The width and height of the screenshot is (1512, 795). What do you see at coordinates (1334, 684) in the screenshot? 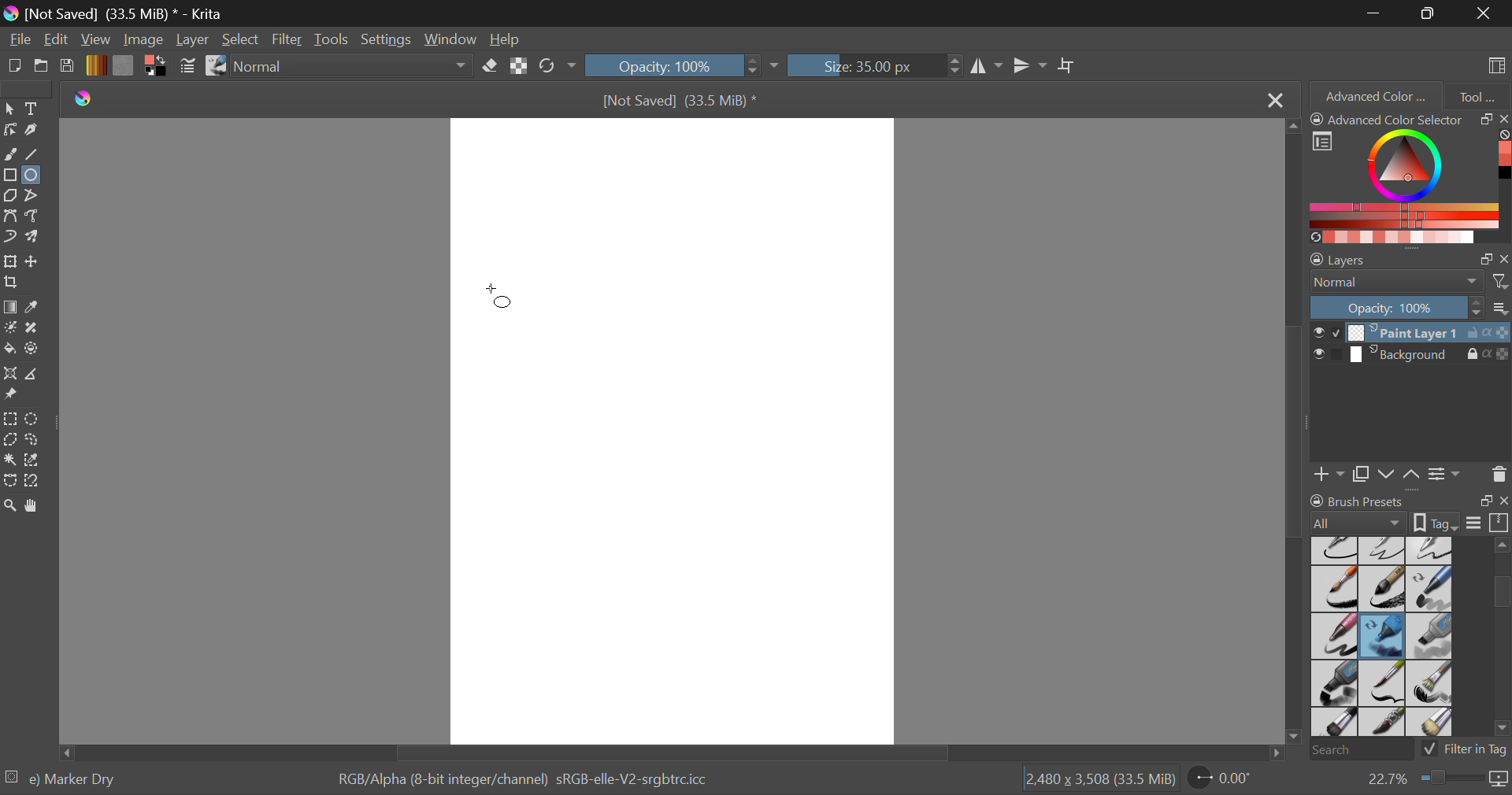
I see `Marker Plain` at bounding box center [1334, 684].